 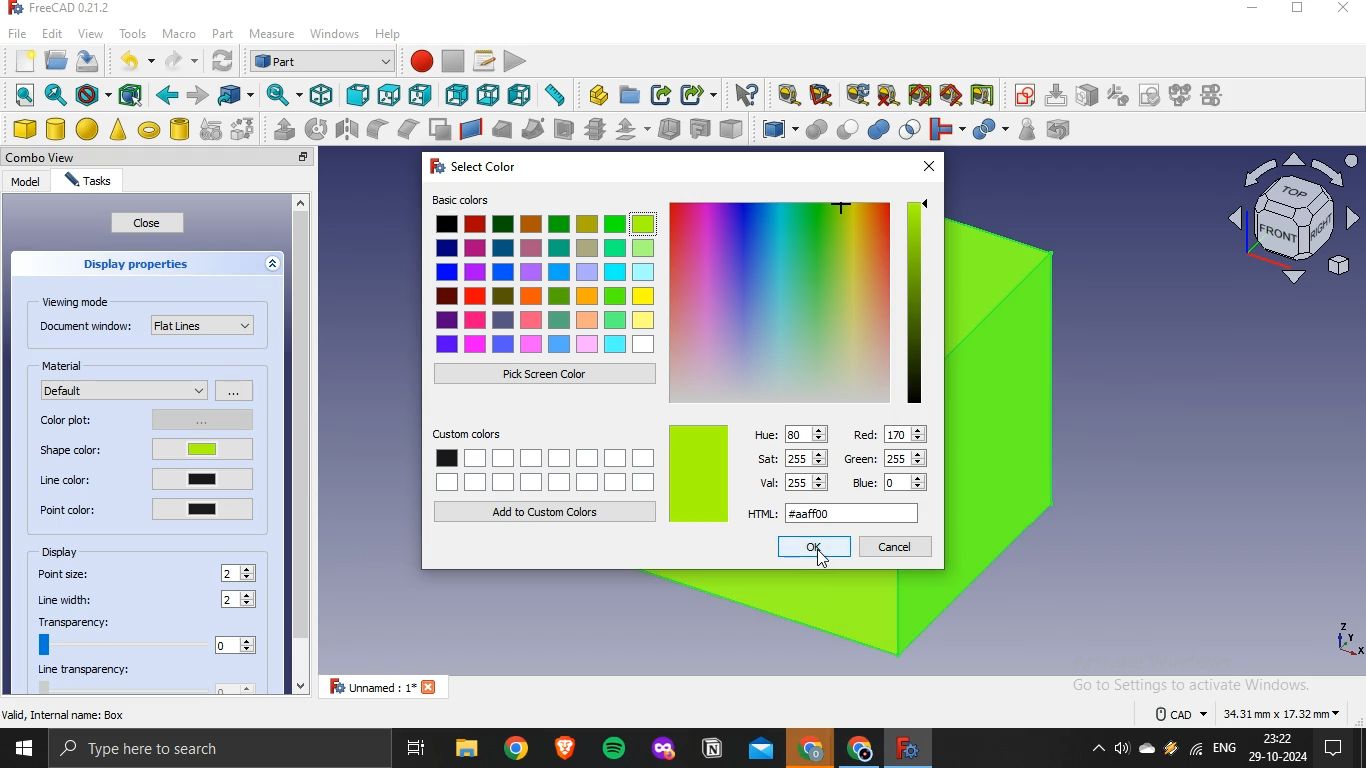 What do you see at coordinates (348, 128) in the screenshot?
I see `mirroring` at bounding box center [348, 128].